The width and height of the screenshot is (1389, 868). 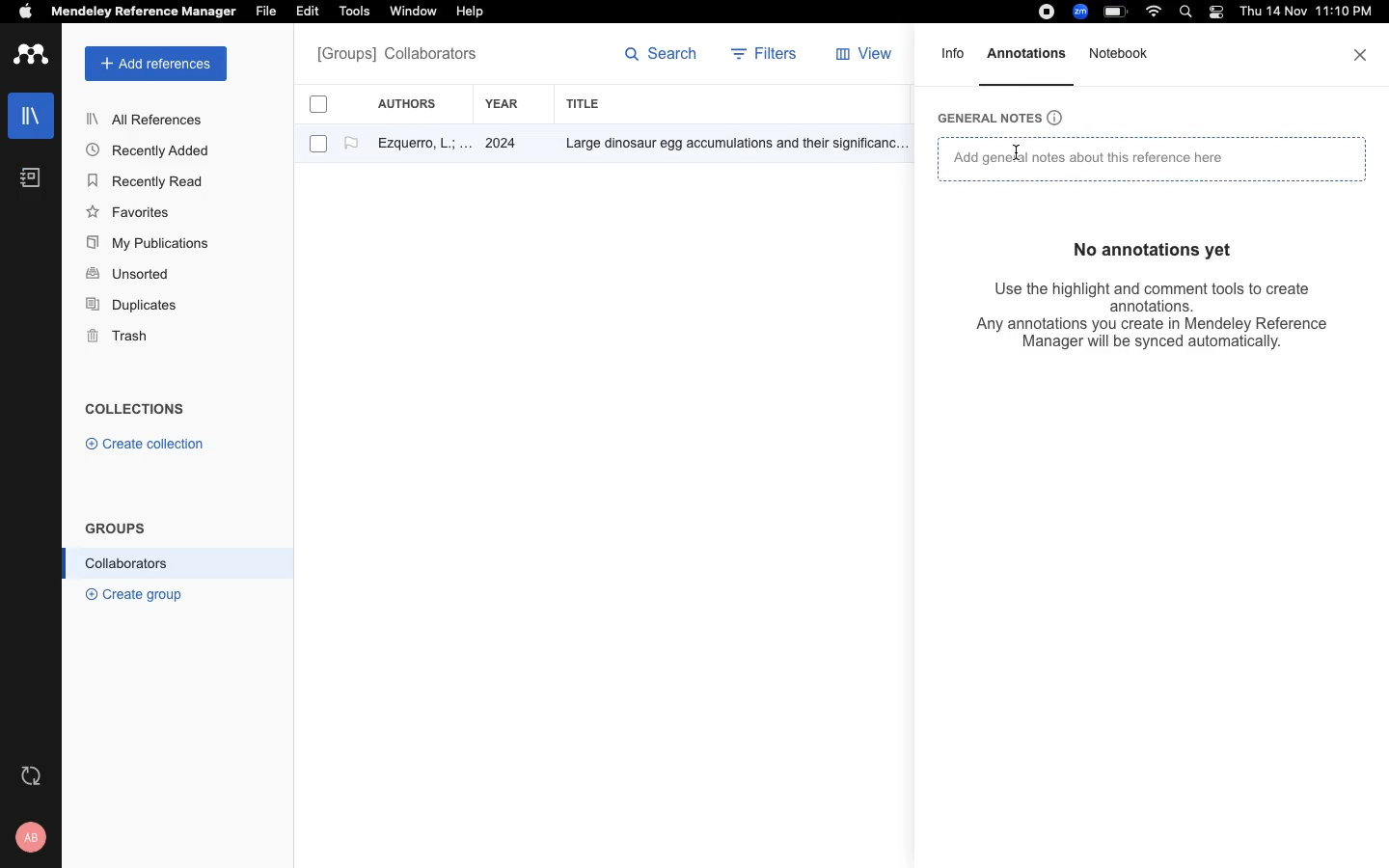 I want to click on Trash, so click(x=125, y=338).